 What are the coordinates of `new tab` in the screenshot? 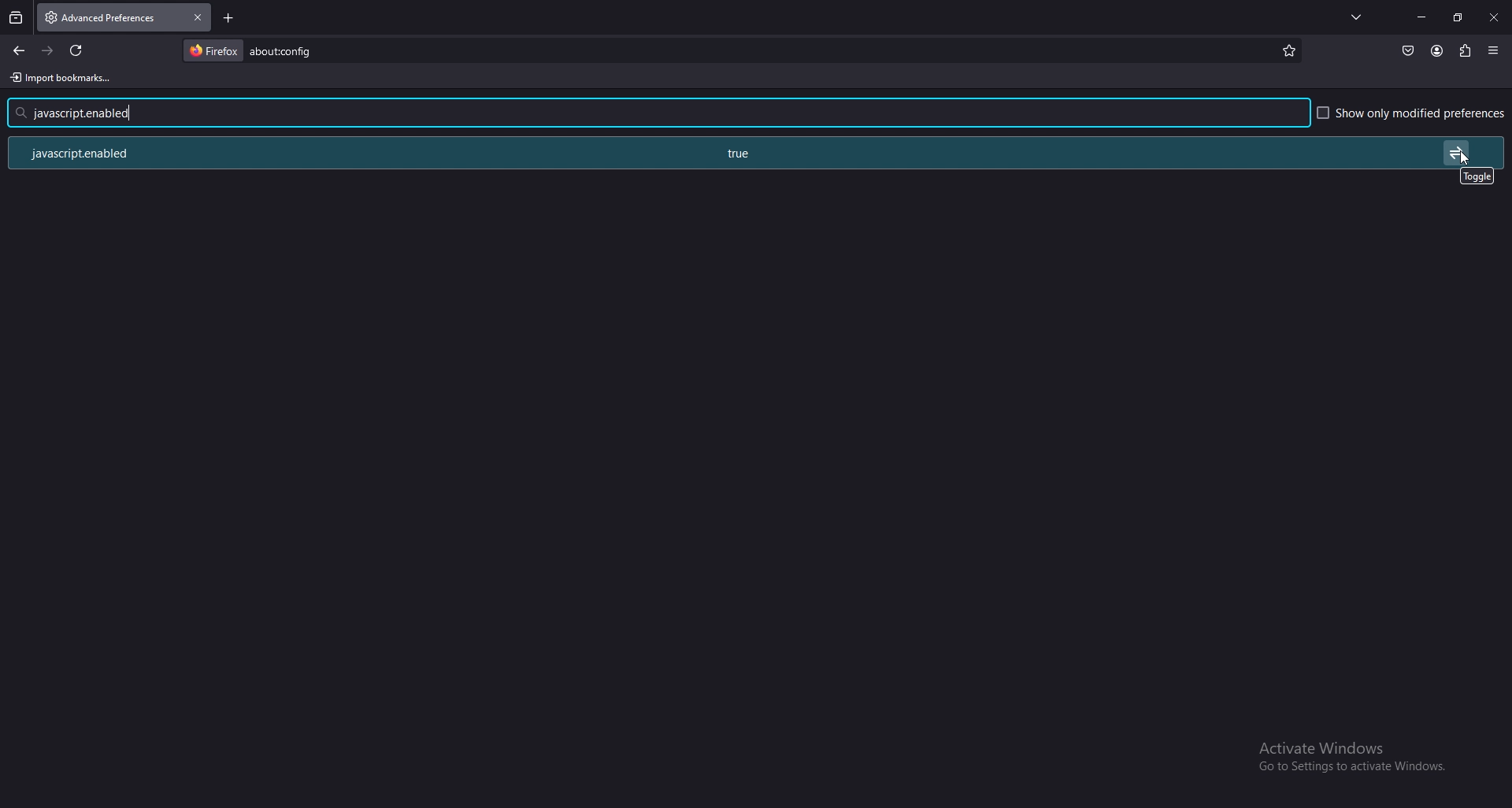 It's located at (231, 18).